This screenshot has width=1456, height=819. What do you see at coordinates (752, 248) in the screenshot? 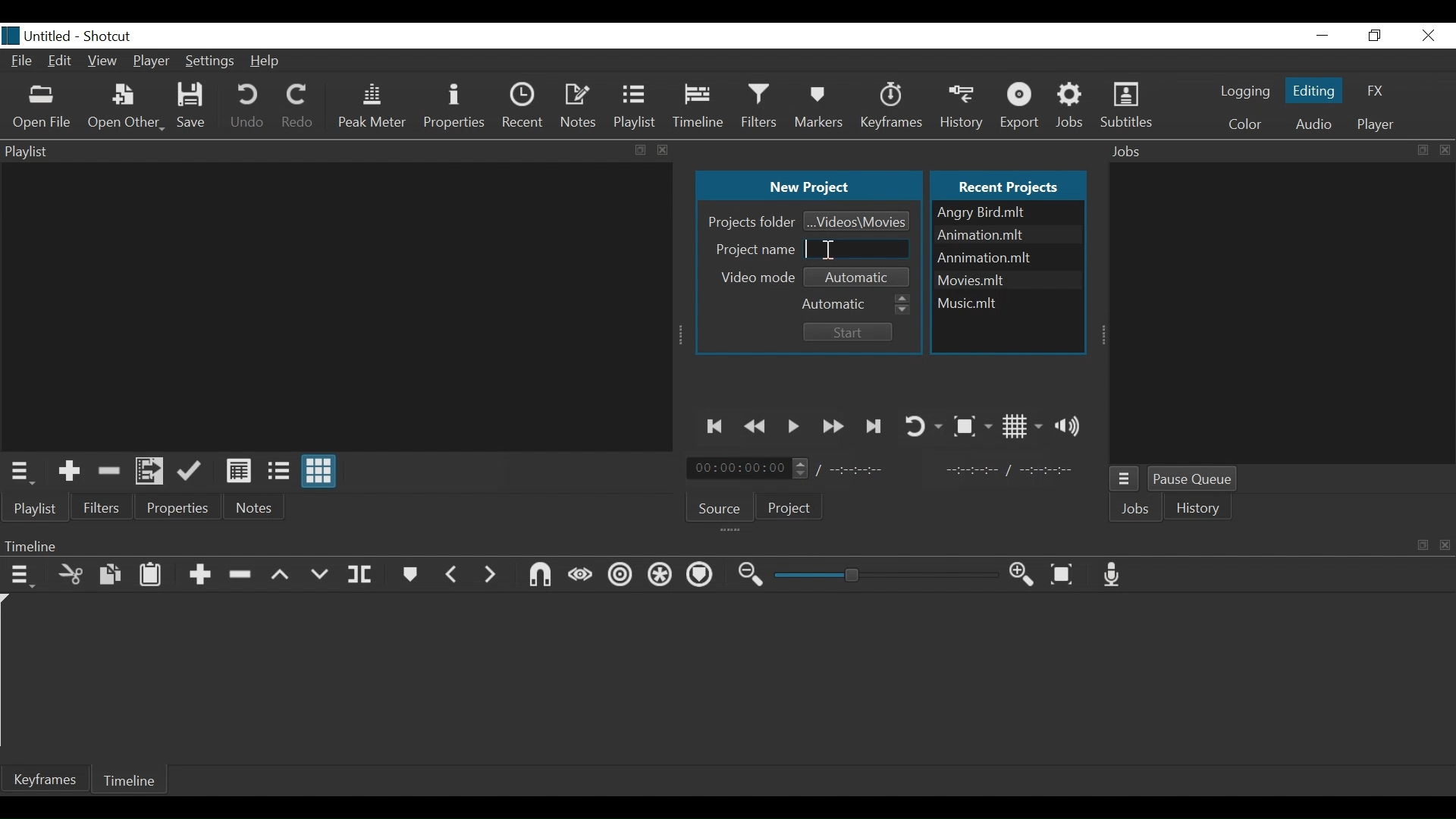
I see `Project Name` at bounding box center [752, 248].